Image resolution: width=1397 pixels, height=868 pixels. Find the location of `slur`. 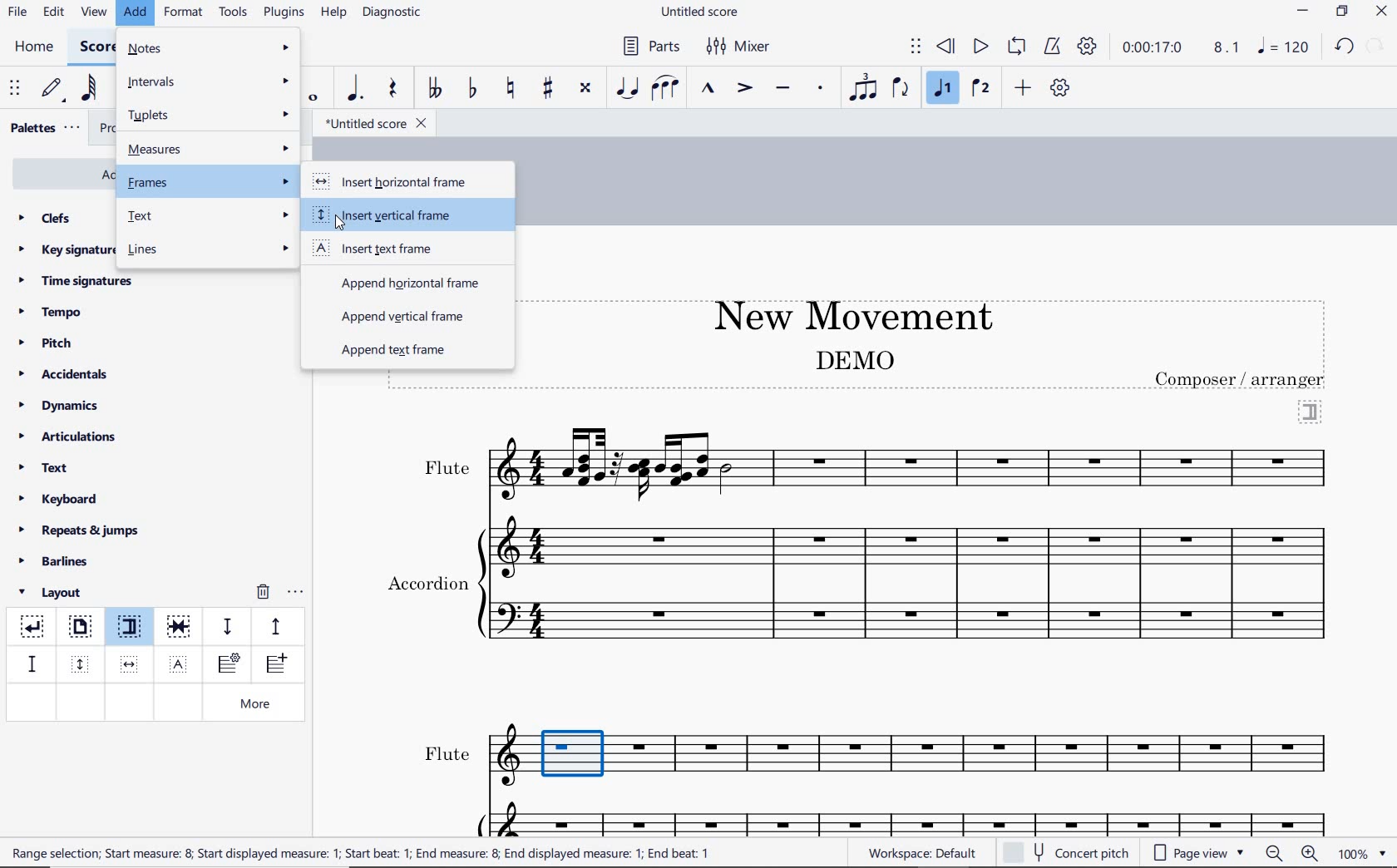

slur is located at coordinates (666, 89).